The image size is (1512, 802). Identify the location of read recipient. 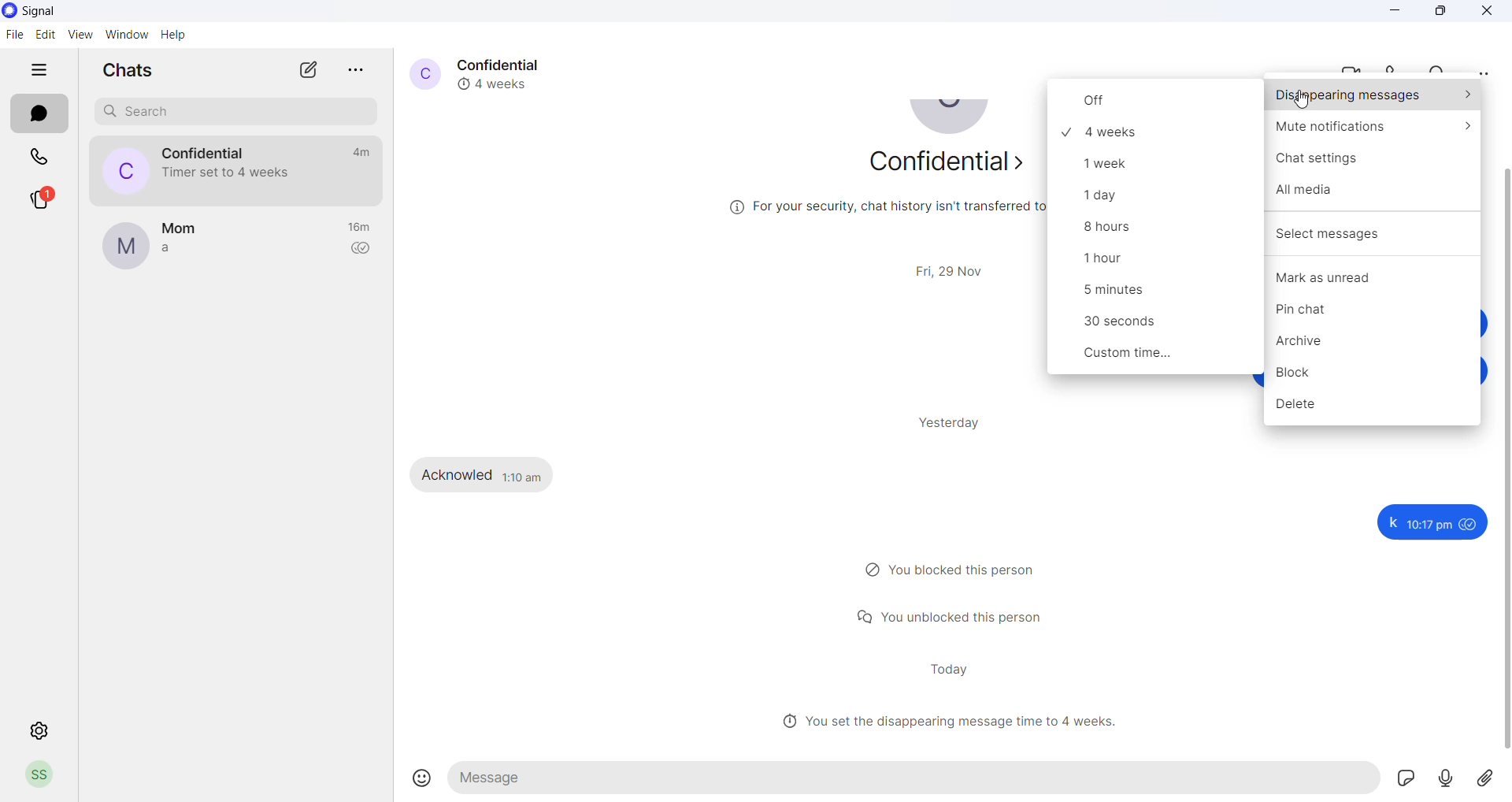
(363, 251).